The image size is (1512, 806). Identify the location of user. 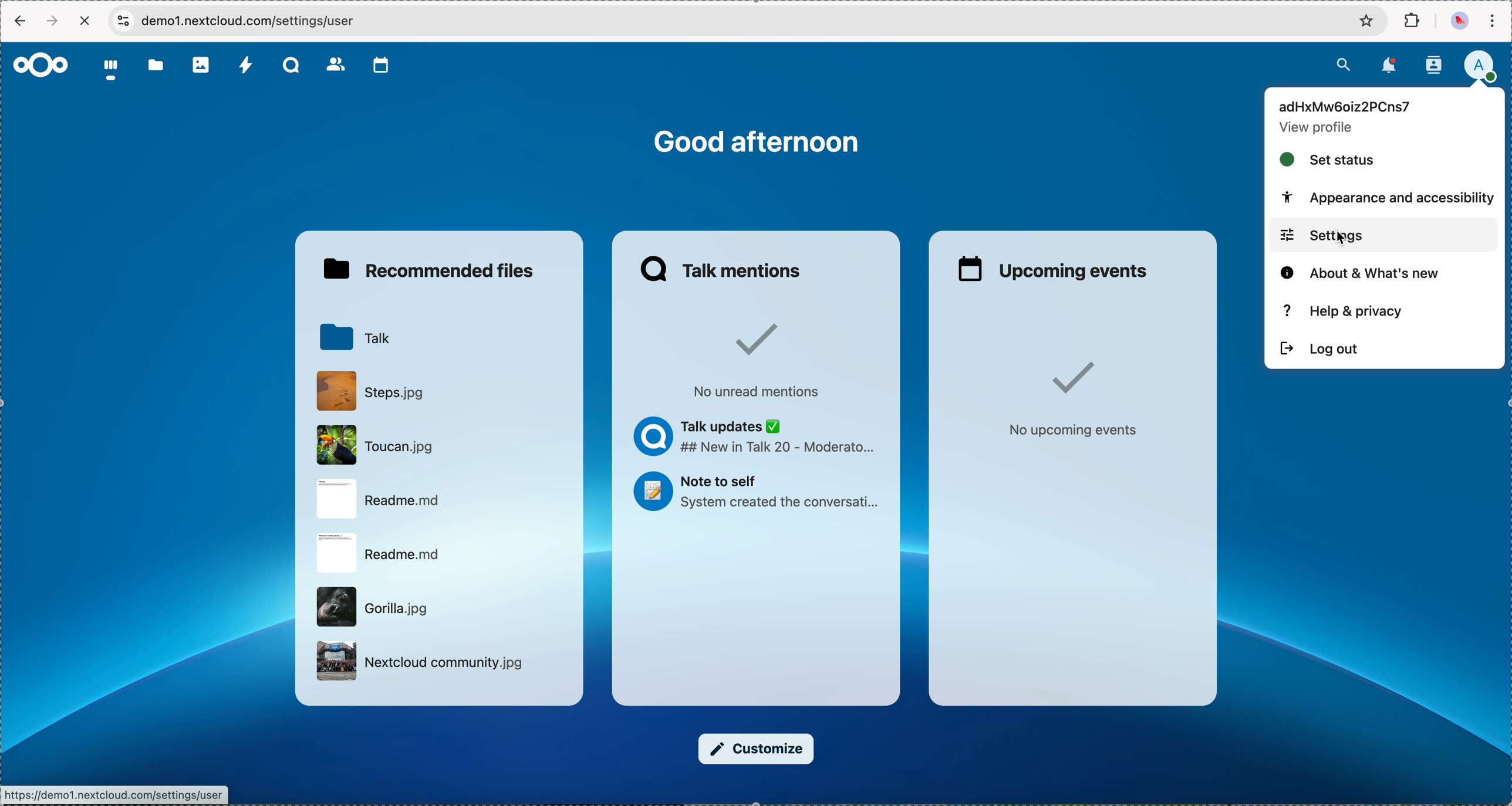
(1345, 106).